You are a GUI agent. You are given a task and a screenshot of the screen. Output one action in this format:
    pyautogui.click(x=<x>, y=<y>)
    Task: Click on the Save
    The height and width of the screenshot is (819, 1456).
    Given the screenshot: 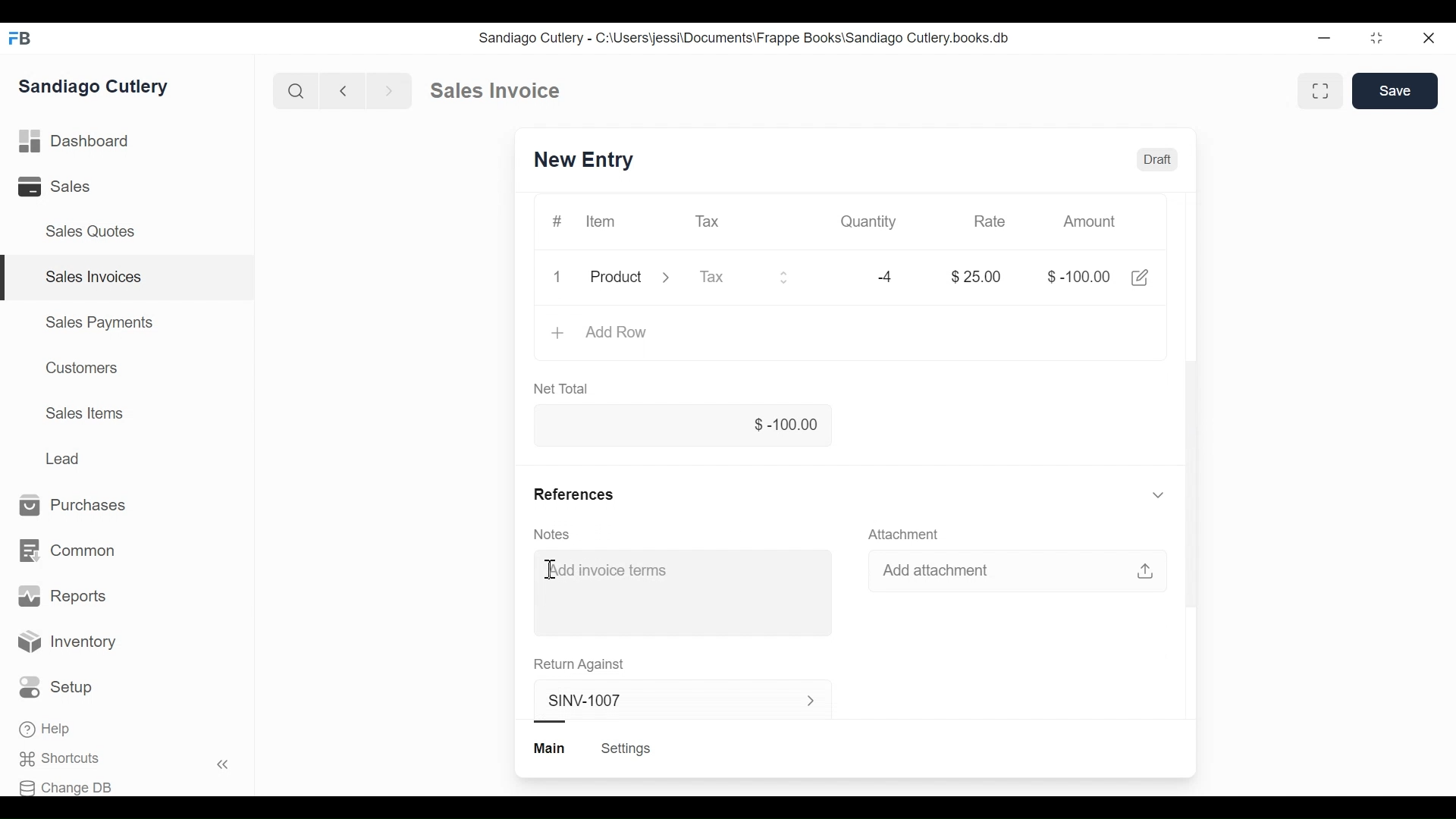 What is the action you would take?
    pyautogui.click(x=1395, y=91)
    